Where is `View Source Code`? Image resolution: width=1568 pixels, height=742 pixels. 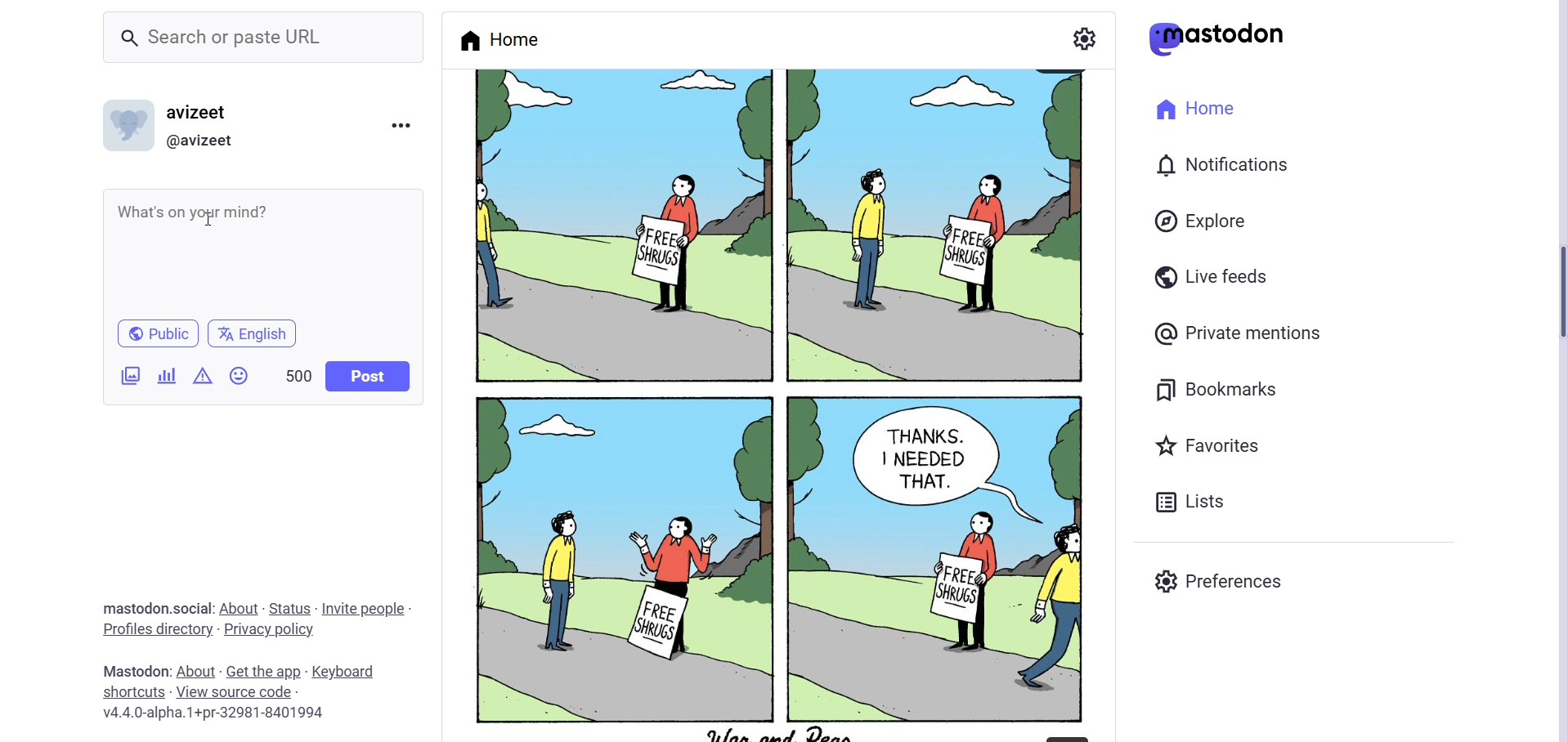
View Source Code is located at coordinates (238, 691).